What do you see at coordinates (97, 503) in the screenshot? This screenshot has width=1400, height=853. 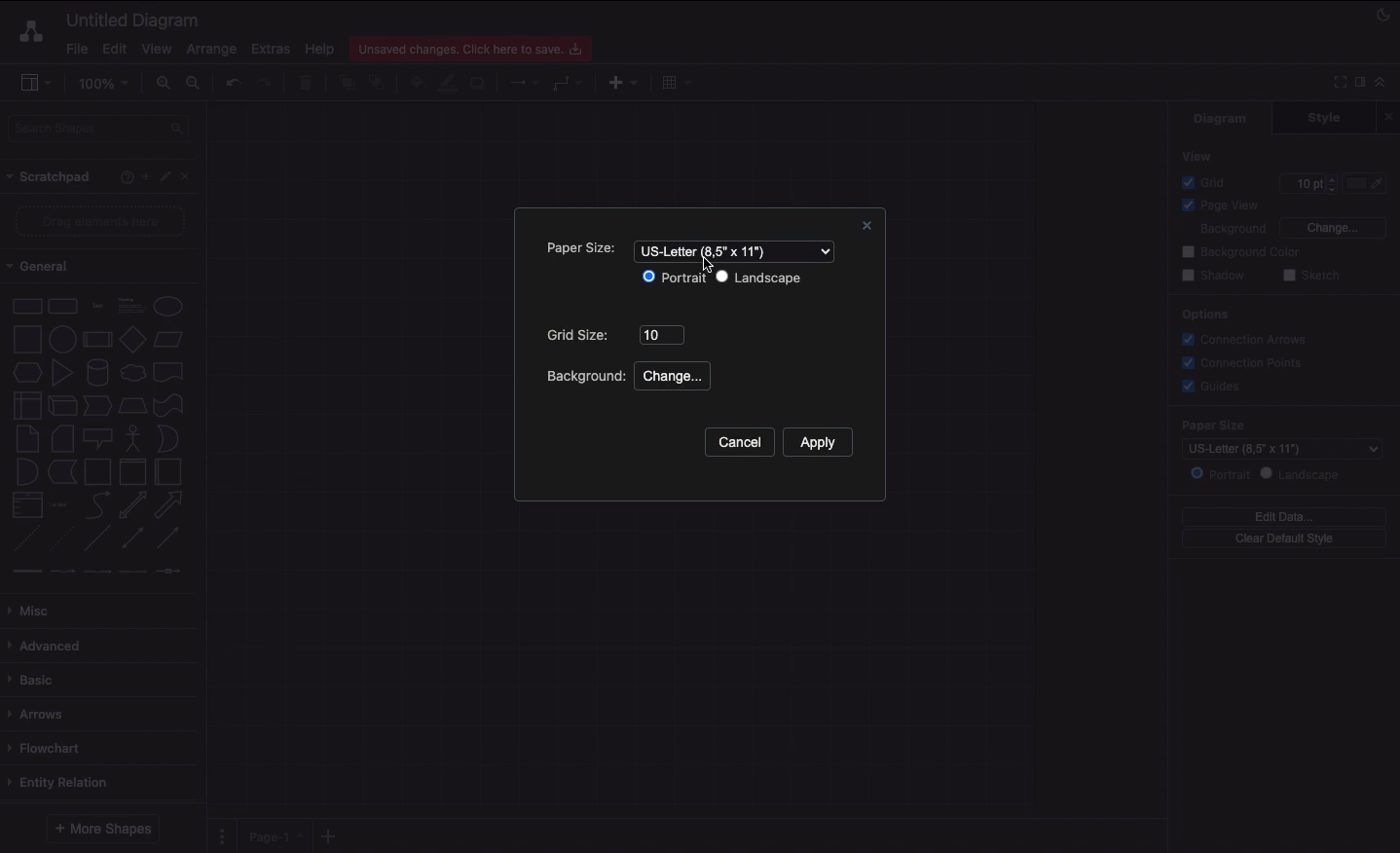 I see `Curved arrow` at bounding box center [97, 503].